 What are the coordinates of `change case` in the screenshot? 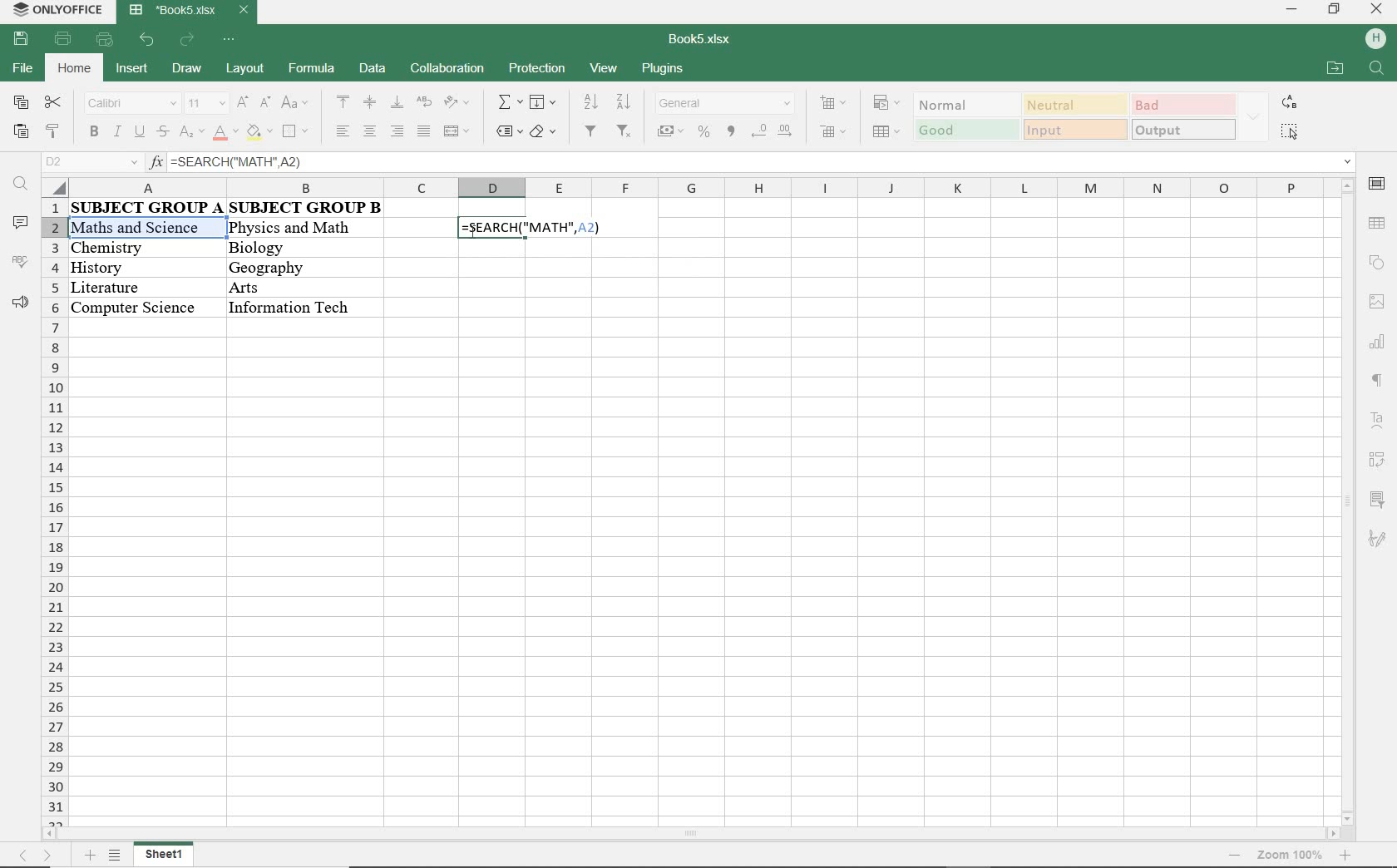 It's located at (297, 103).